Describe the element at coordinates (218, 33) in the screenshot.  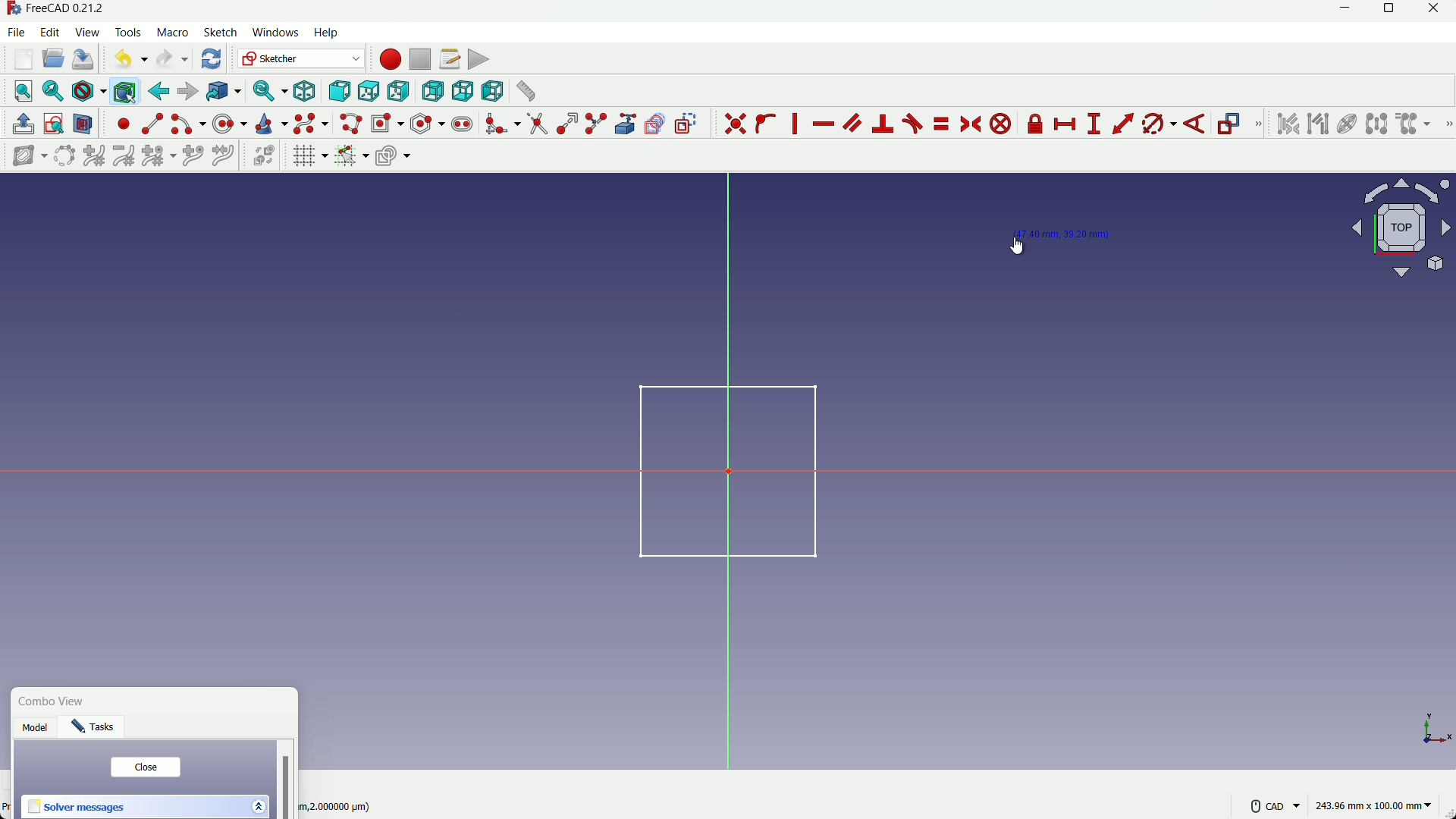
I see `sketch menu` at that location.